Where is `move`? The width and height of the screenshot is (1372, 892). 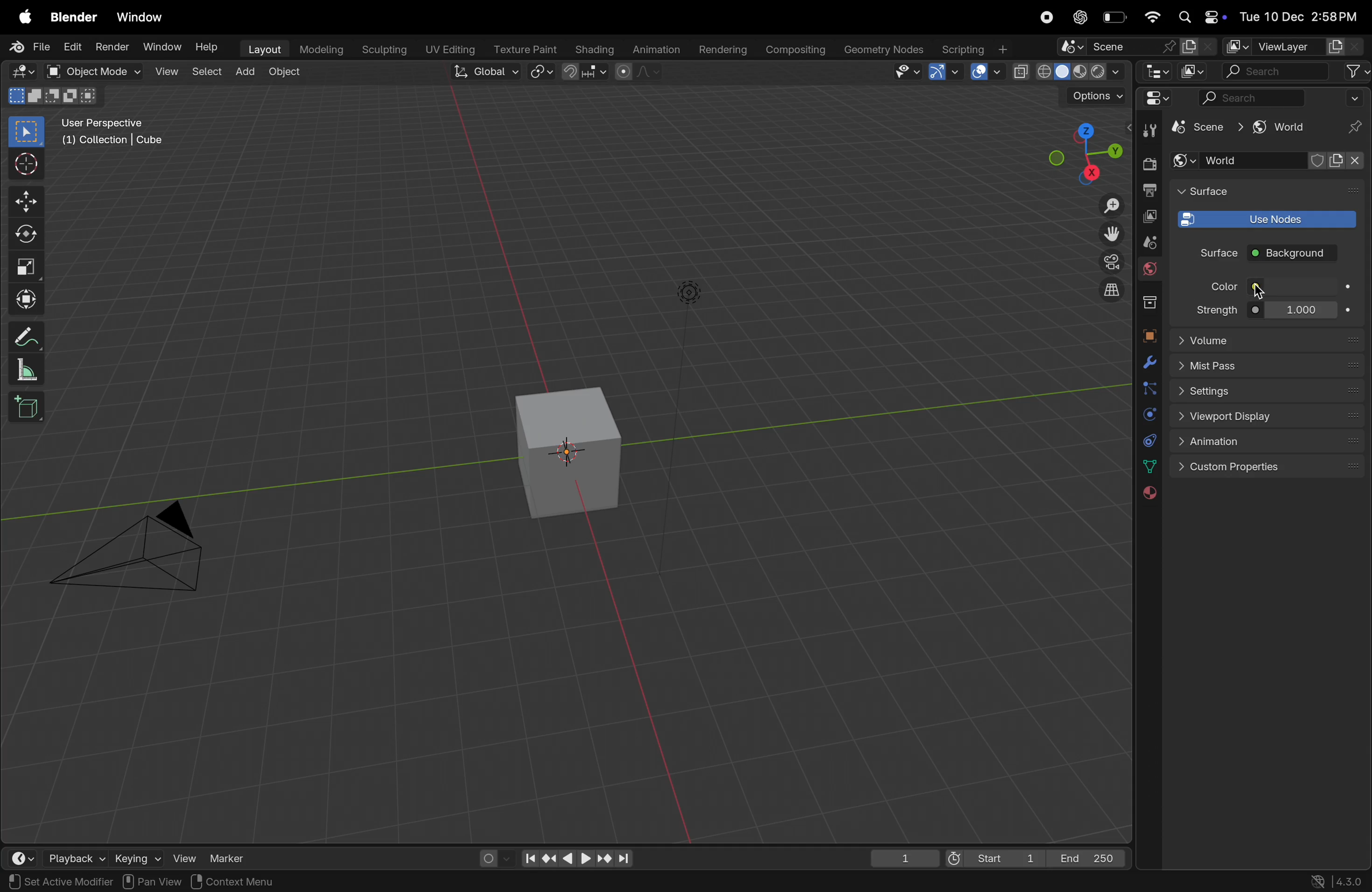 move is located at coordinates (26, 199).